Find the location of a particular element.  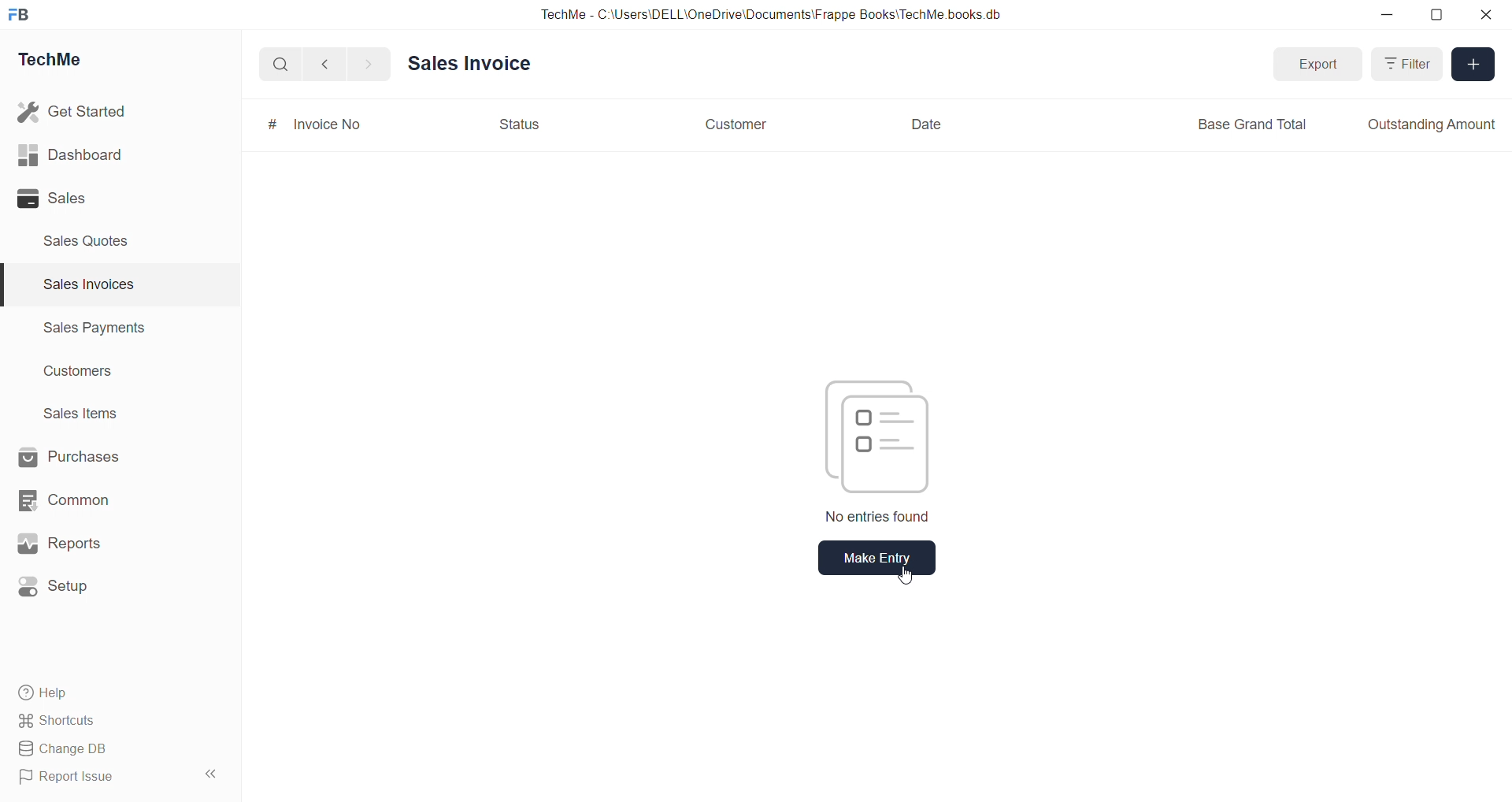

files icon is located at coordinates (876, 437).